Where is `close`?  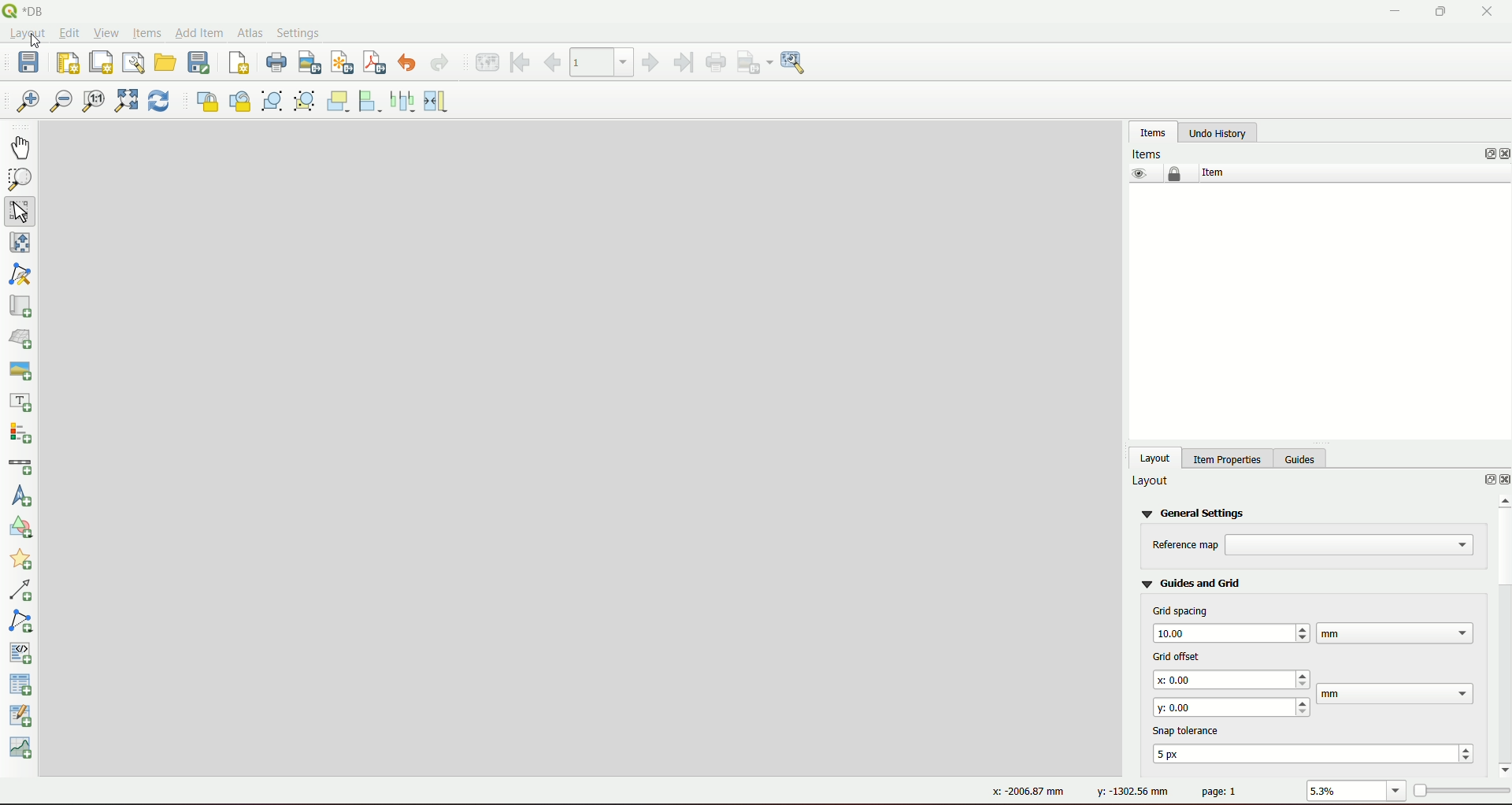 close is located at coordinates (1487, 12).